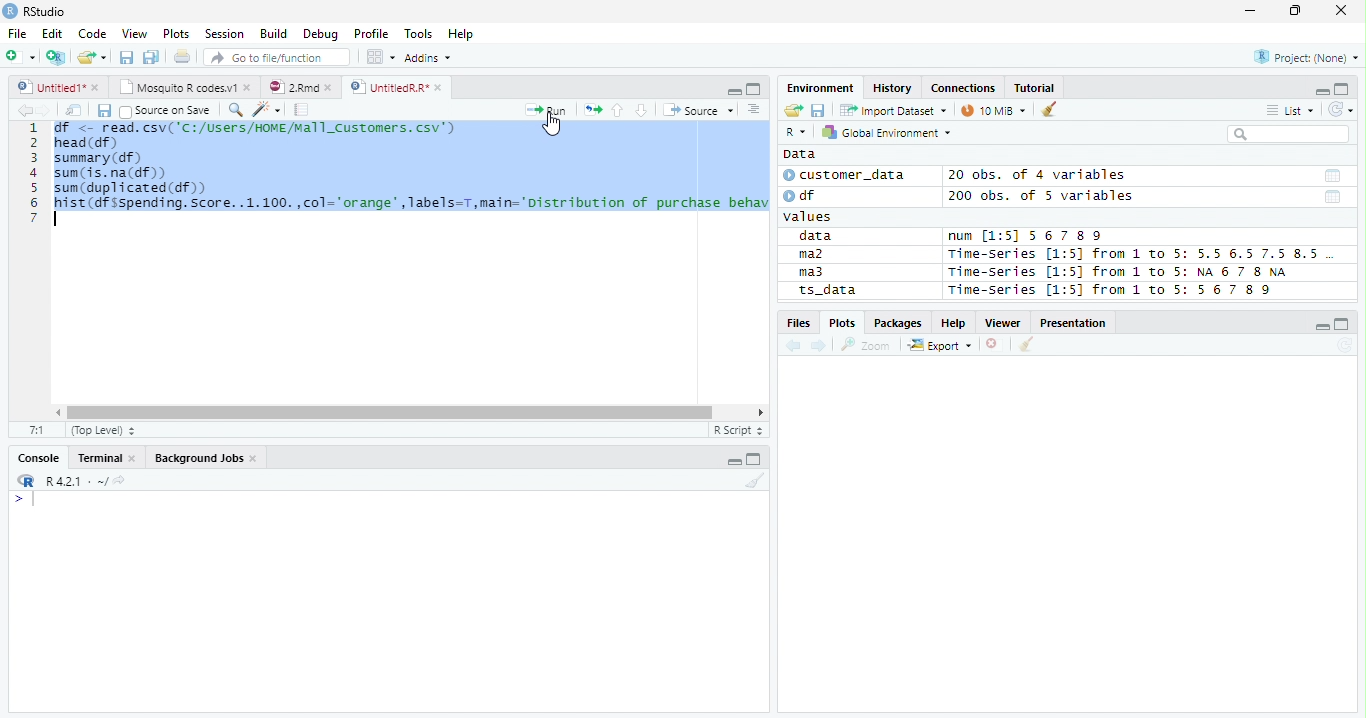 Image resolution: width=1366 pixels, height=718 pixels. What do you see at coordinates (1137, 255) in the screenshot?
I see `Time-Series [1:5] from 1 to 5: 5.5 6.5 7.5 8.5` at bounding box center [1137, 255].